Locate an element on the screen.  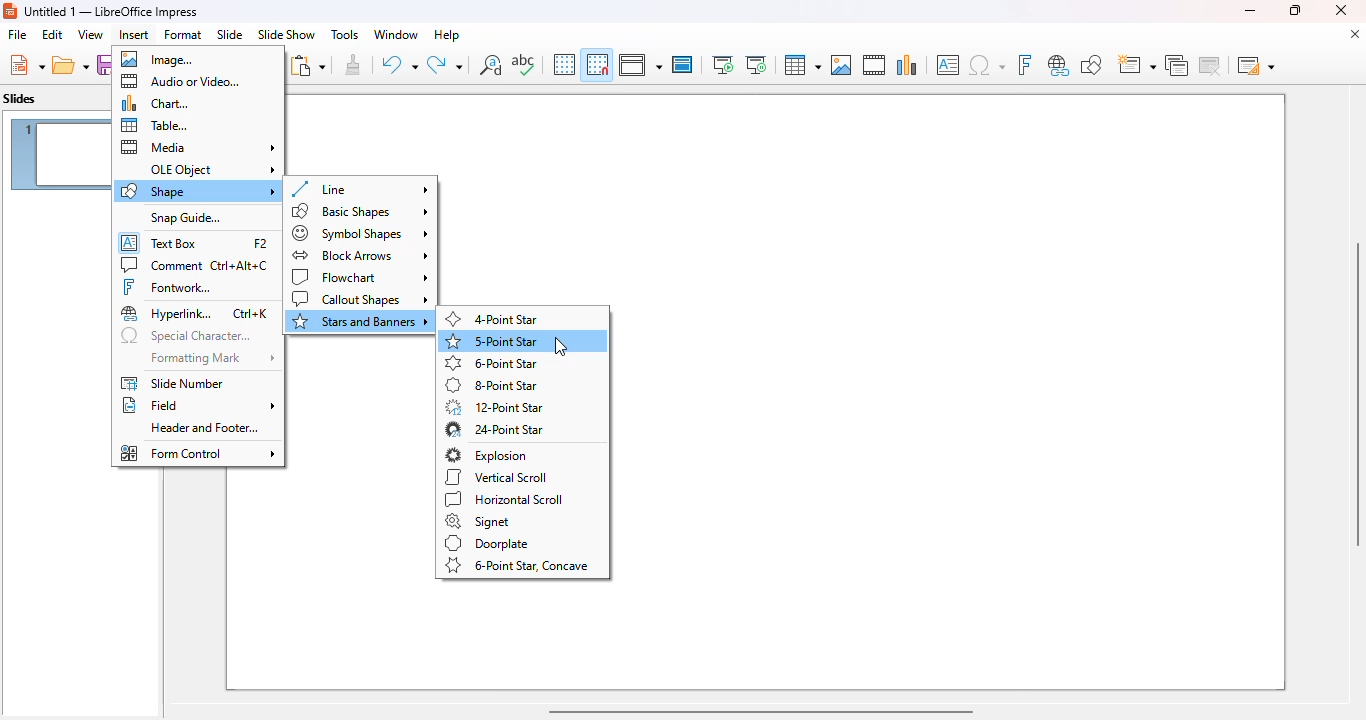
insert fontwork text is located at coordinates (1024, 64).